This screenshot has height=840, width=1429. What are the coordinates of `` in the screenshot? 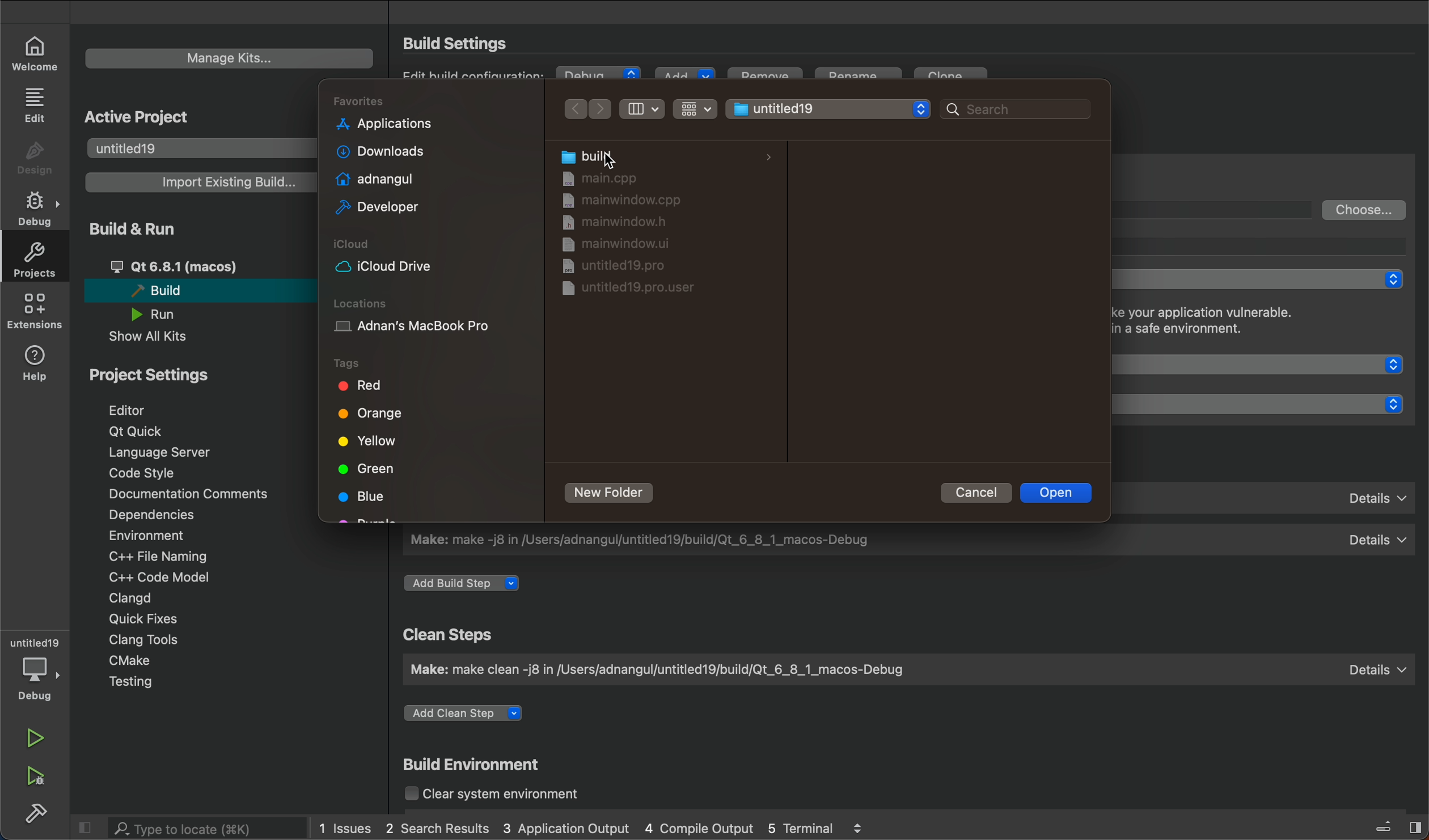 It's located at (644, 109).